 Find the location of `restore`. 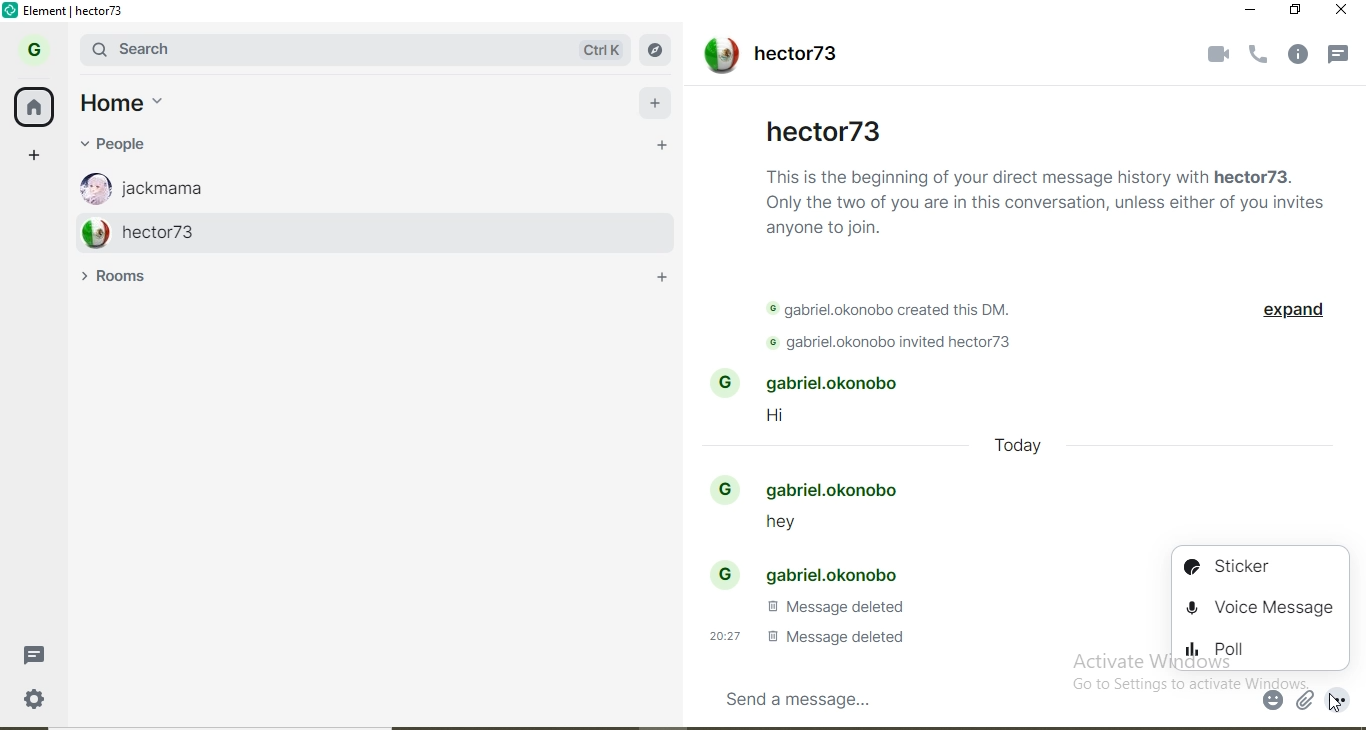

restore is located at coordinates (1296, 10).